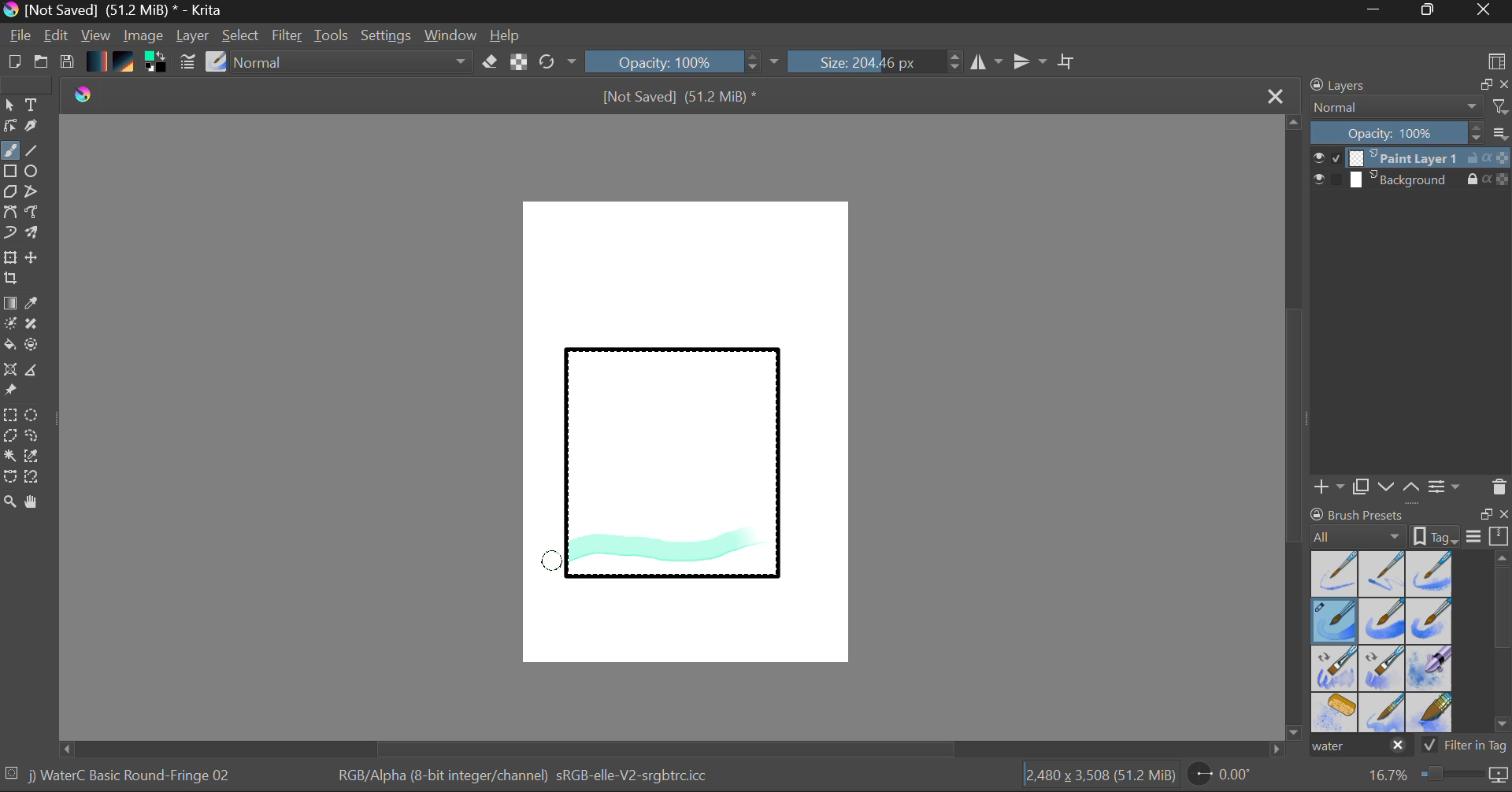 The width and height of the screenshot is (1512, 792). What do you see at coordinates (674, 479) in the screenshot?
I see `Rectangle Shape Selected` at bounding box center [674, 479].